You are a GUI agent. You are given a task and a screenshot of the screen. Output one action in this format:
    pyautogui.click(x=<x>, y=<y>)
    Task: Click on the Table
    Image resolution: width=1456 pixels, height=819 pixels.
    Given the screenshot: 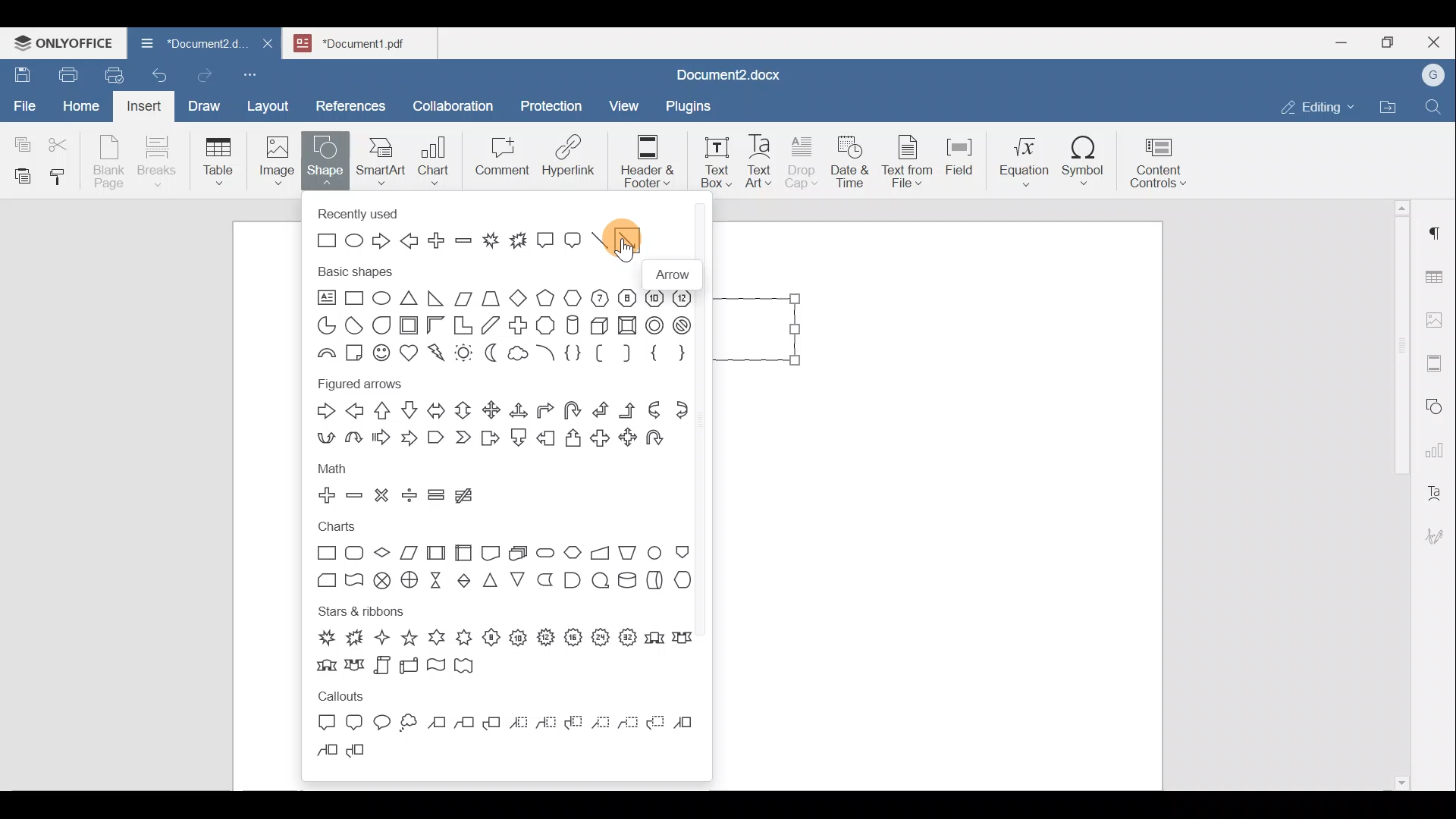 What is the action you would take?
    pyautogui.click(x=219, y=158)
    